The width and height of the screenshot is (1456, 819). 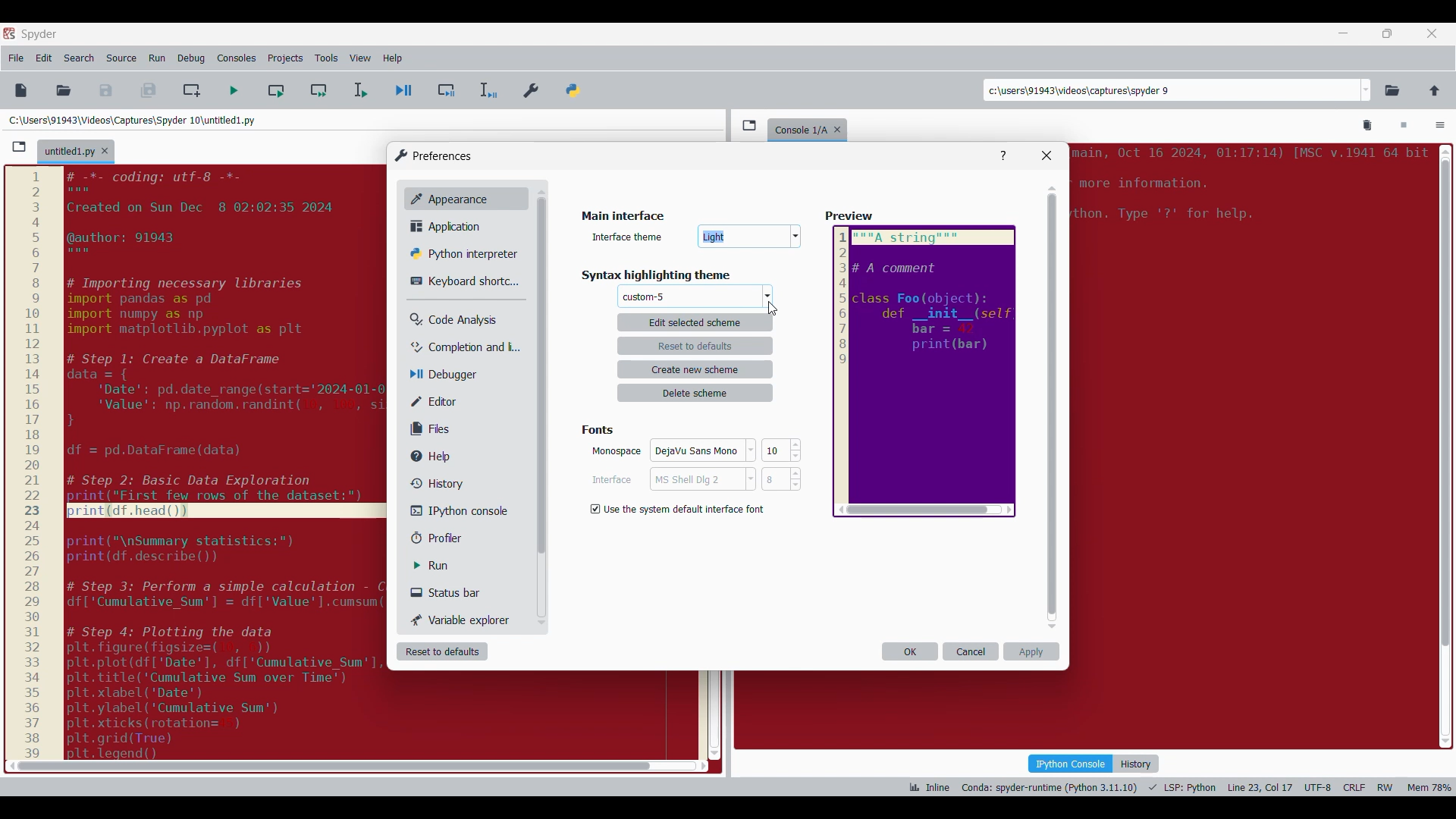 I want to click on scroll bar, so click(x=329, y=766).